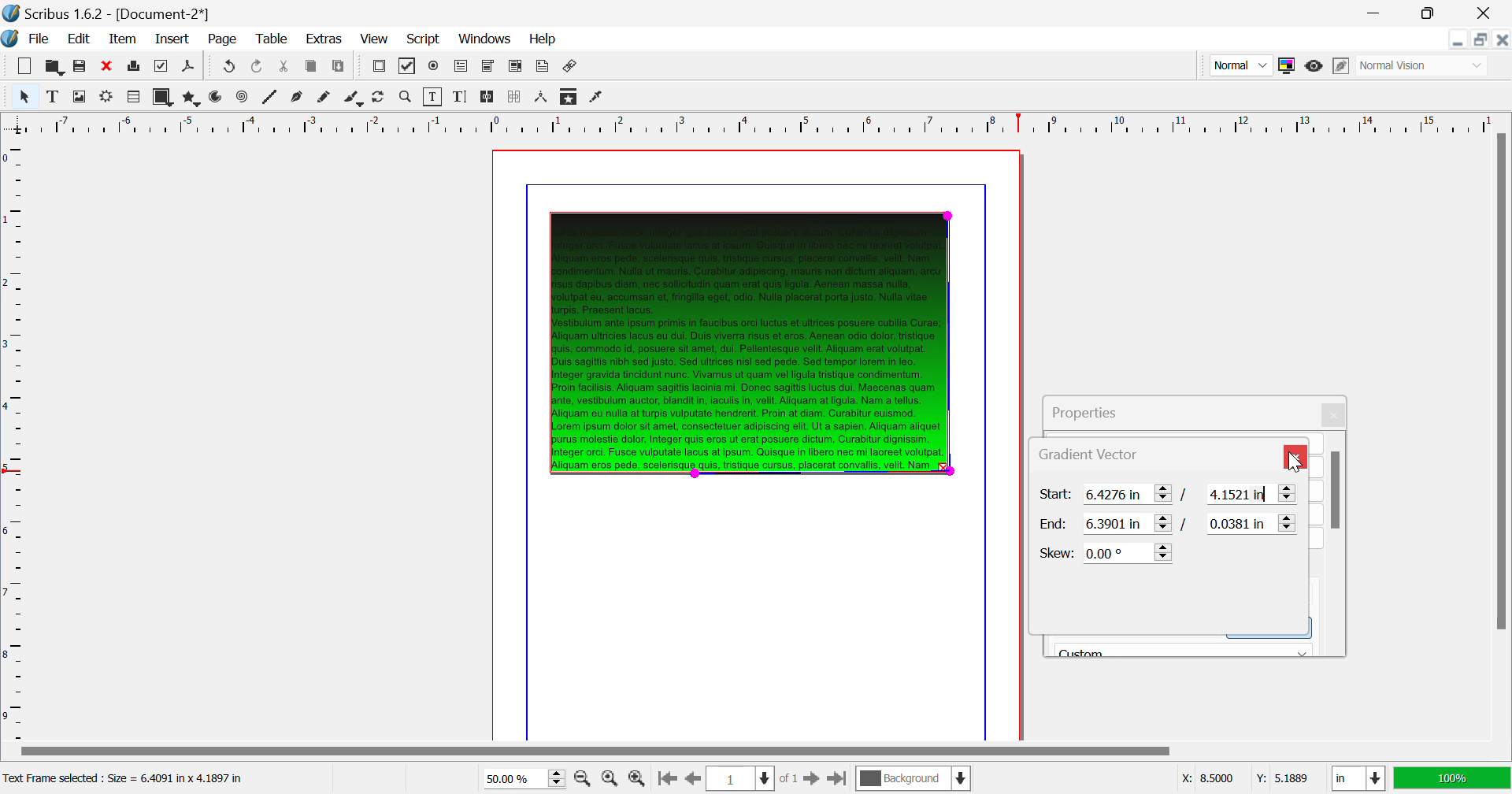 Image resolution: width=1512 pixels, height=794 pixels. Describe the element at coordinates (572, 68) in the screenshot. I see `Link Annotation` at that location.